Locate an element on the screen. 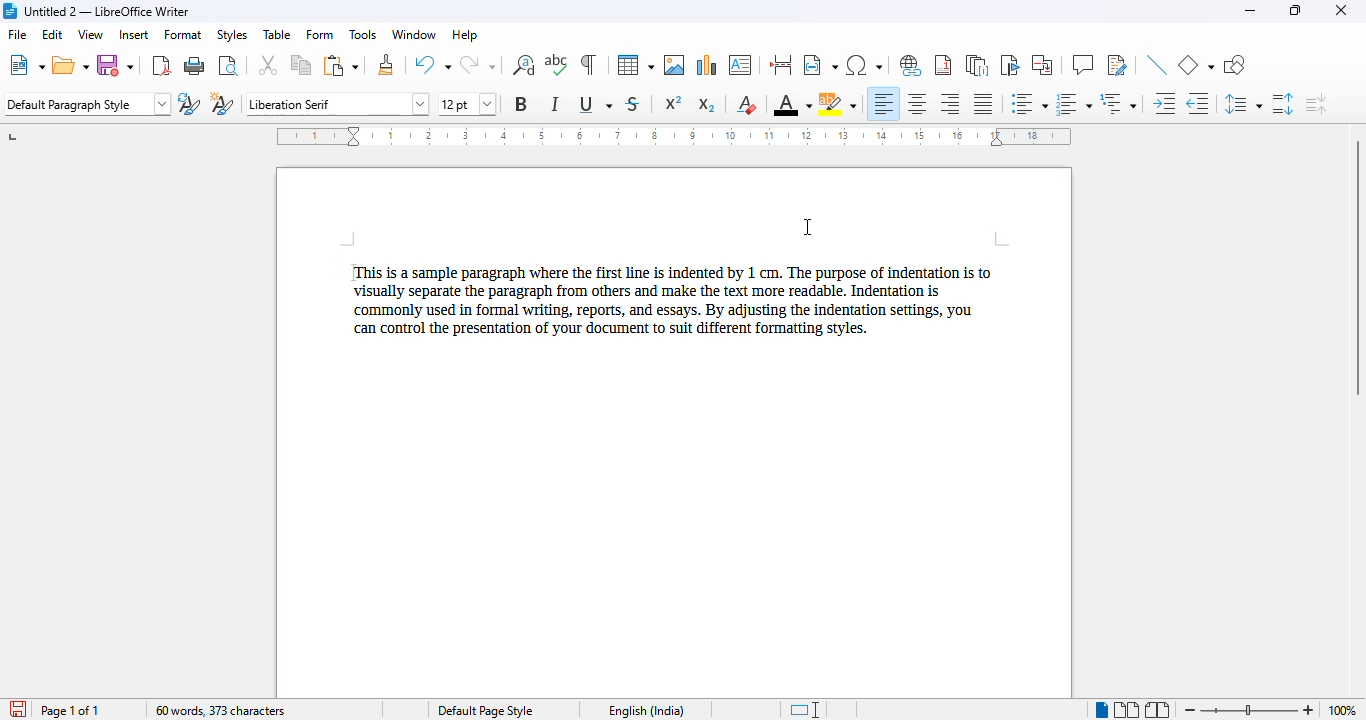 This screenshot has width=1366, height=720. set paragraph style is located at coordinates (88, 104).